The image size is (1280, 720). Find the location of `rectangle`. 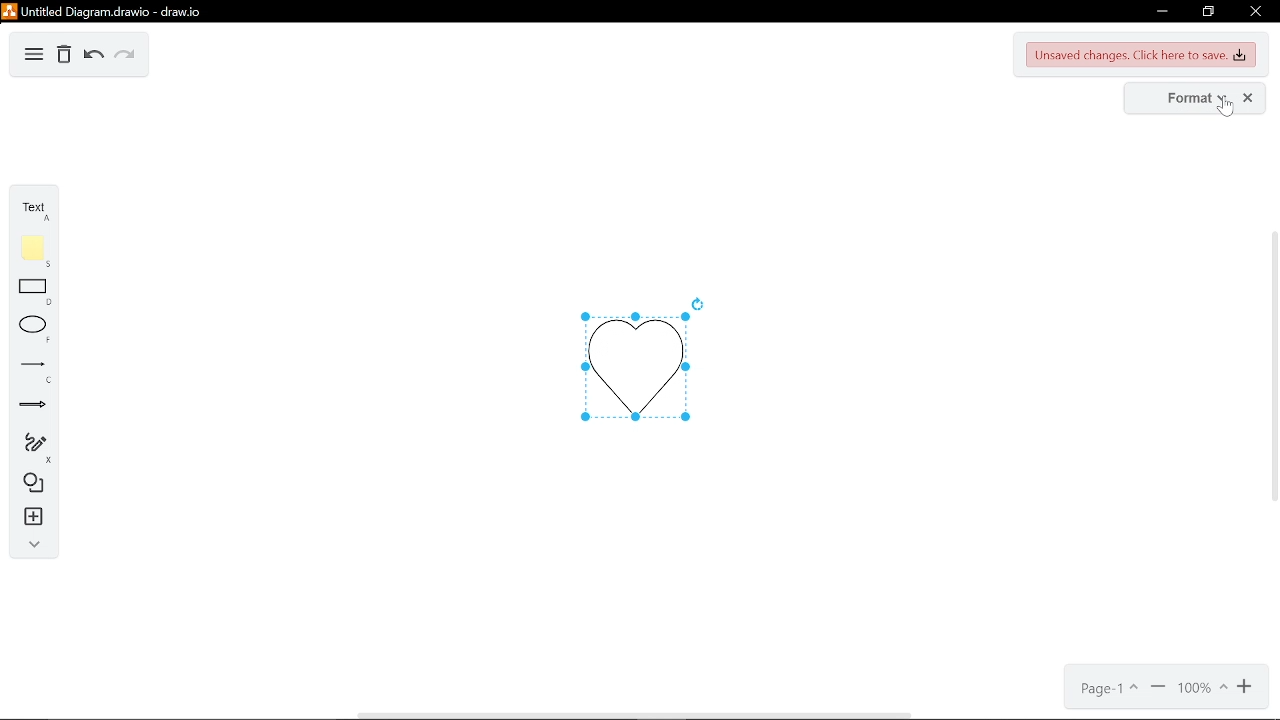

rectangle is located at coordinates (33, 293).